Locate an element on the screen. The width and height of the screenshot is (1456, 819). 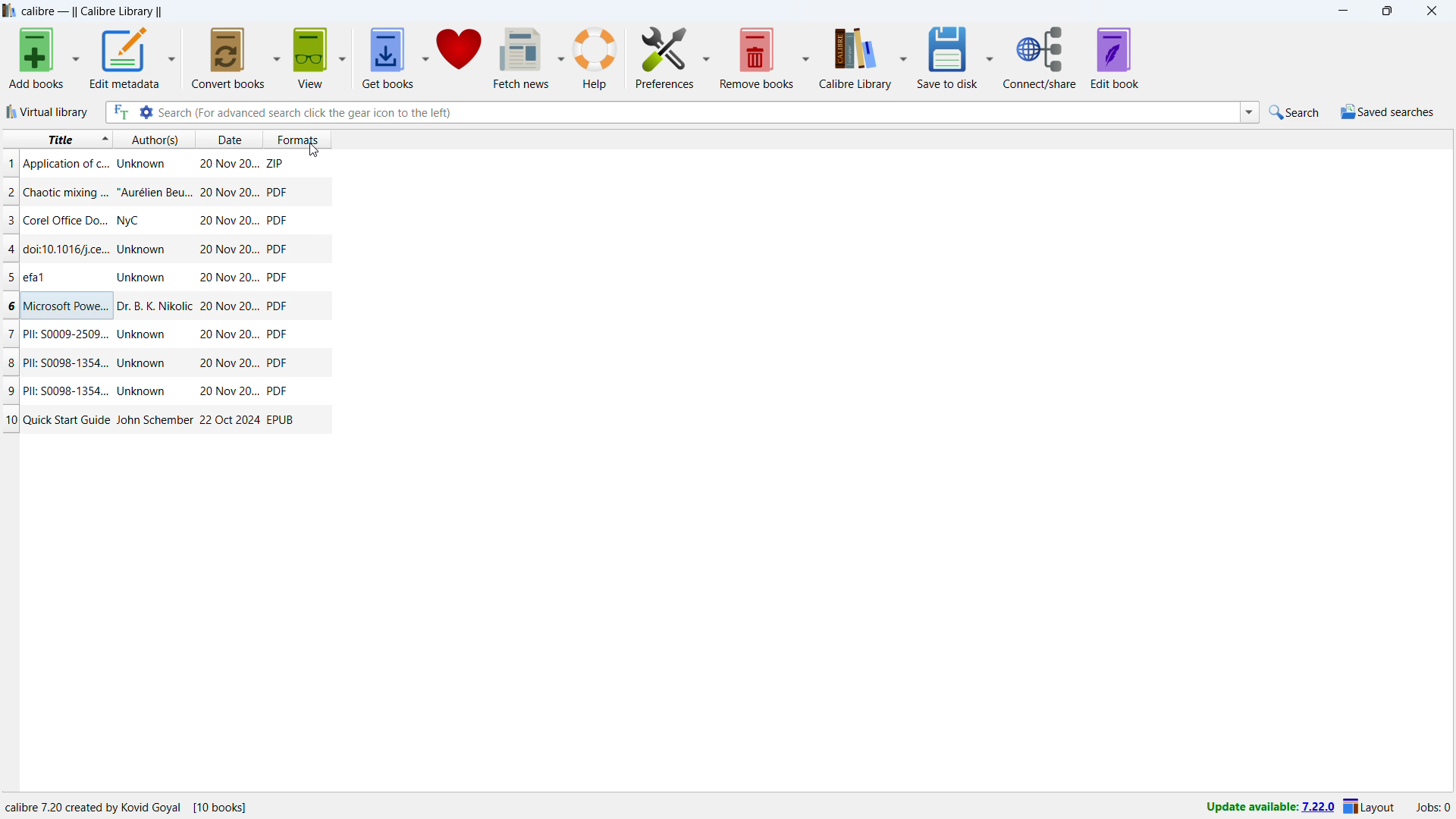
view is located at coordinates (311, 58).